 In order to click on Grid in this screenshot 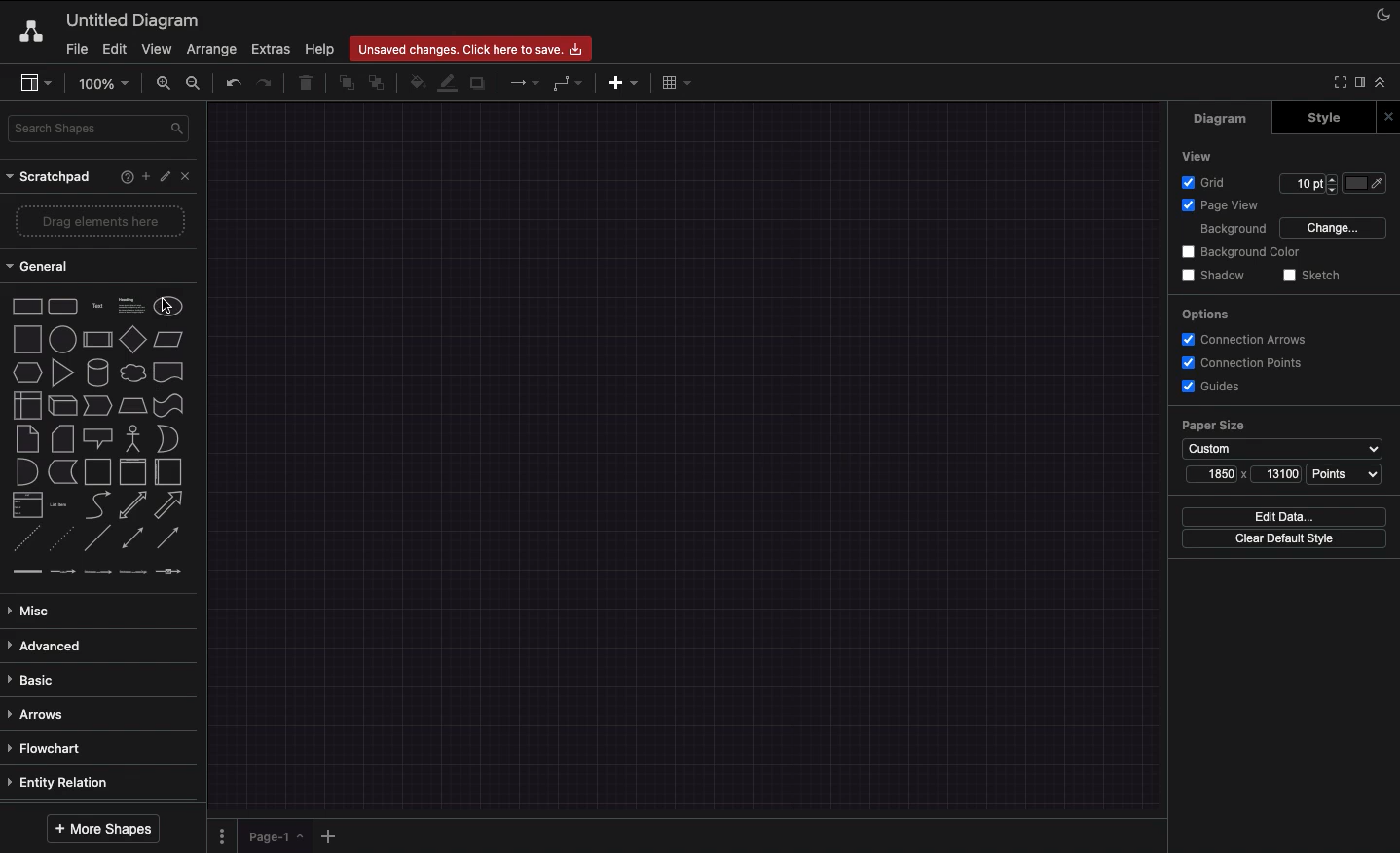, I will do `click(1208, 182)`.